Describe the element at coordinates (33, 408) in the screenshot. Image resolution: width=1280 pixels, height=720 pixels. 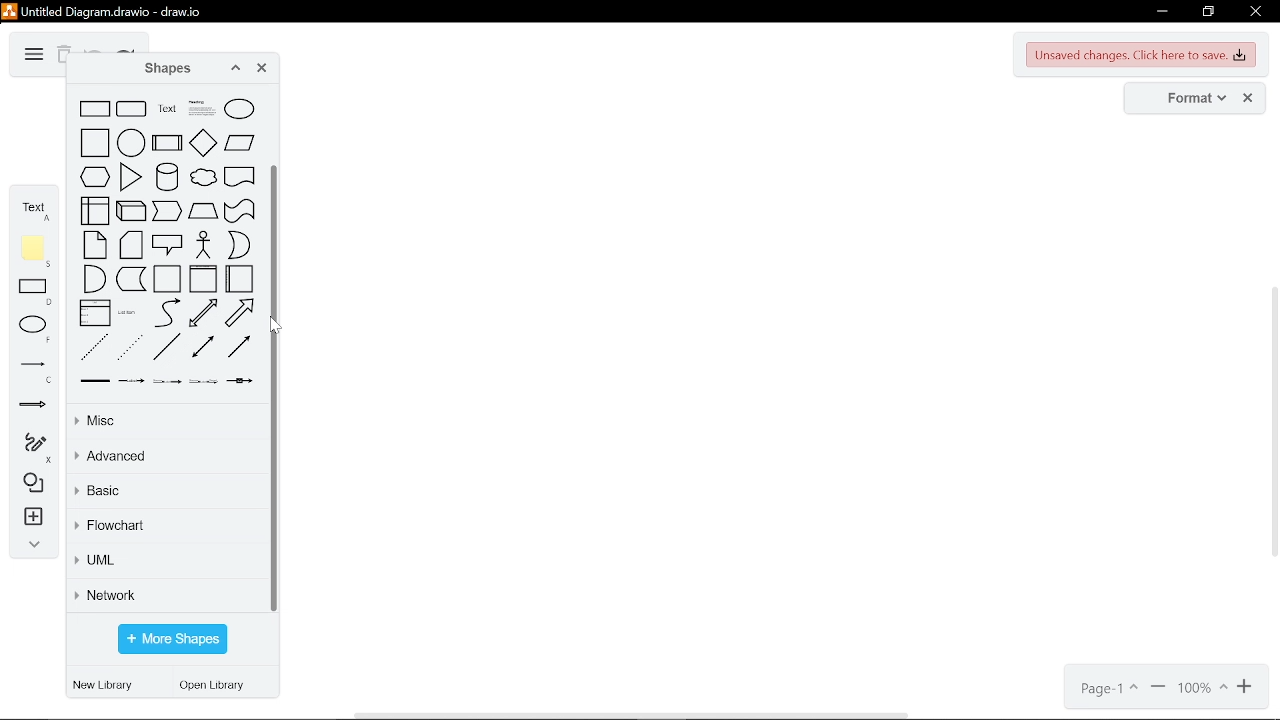
I see `arrows` at that location.